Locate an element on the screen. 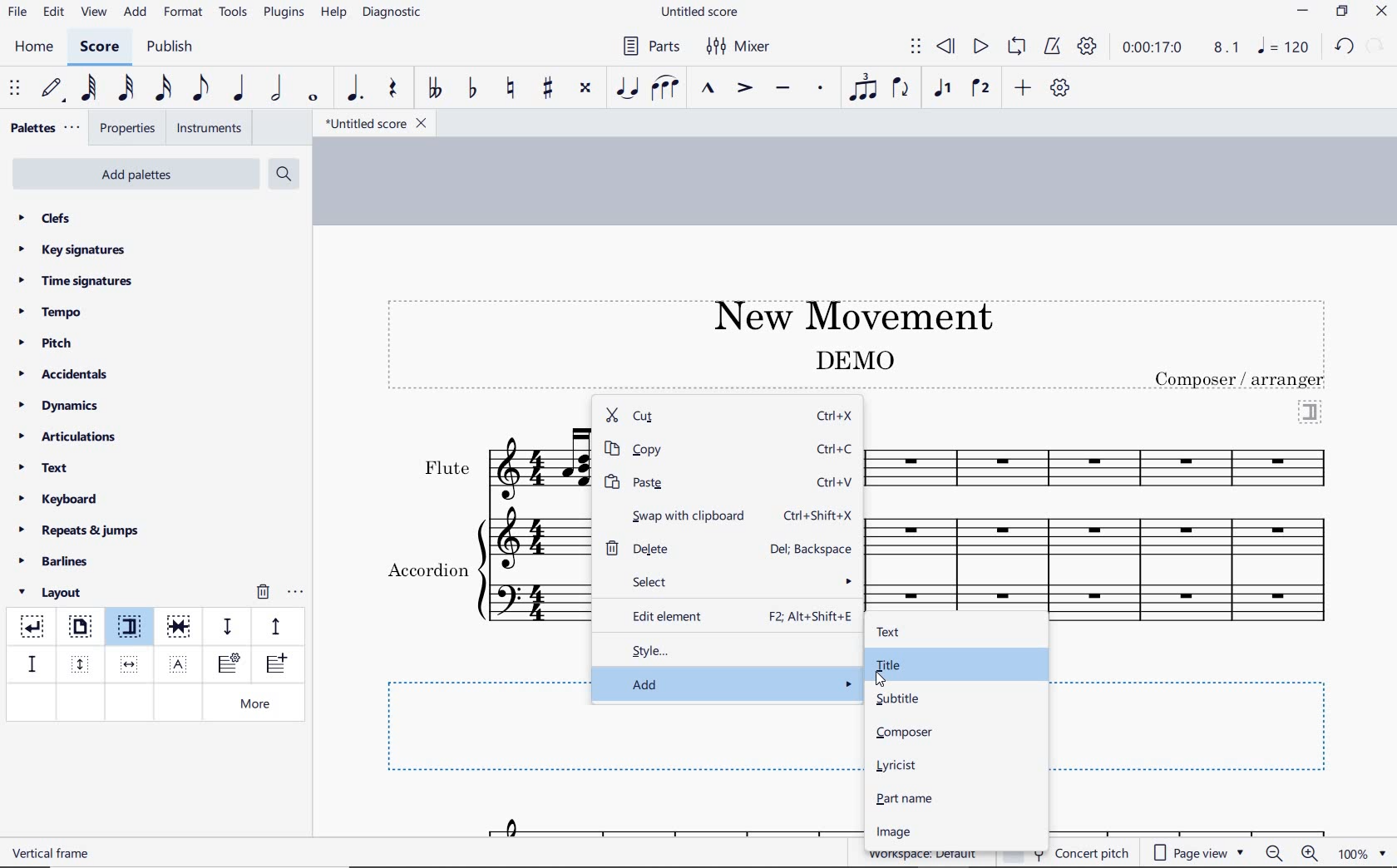 This screenshot has width=1397, height=868. publish is located at coordinates (168, 48).